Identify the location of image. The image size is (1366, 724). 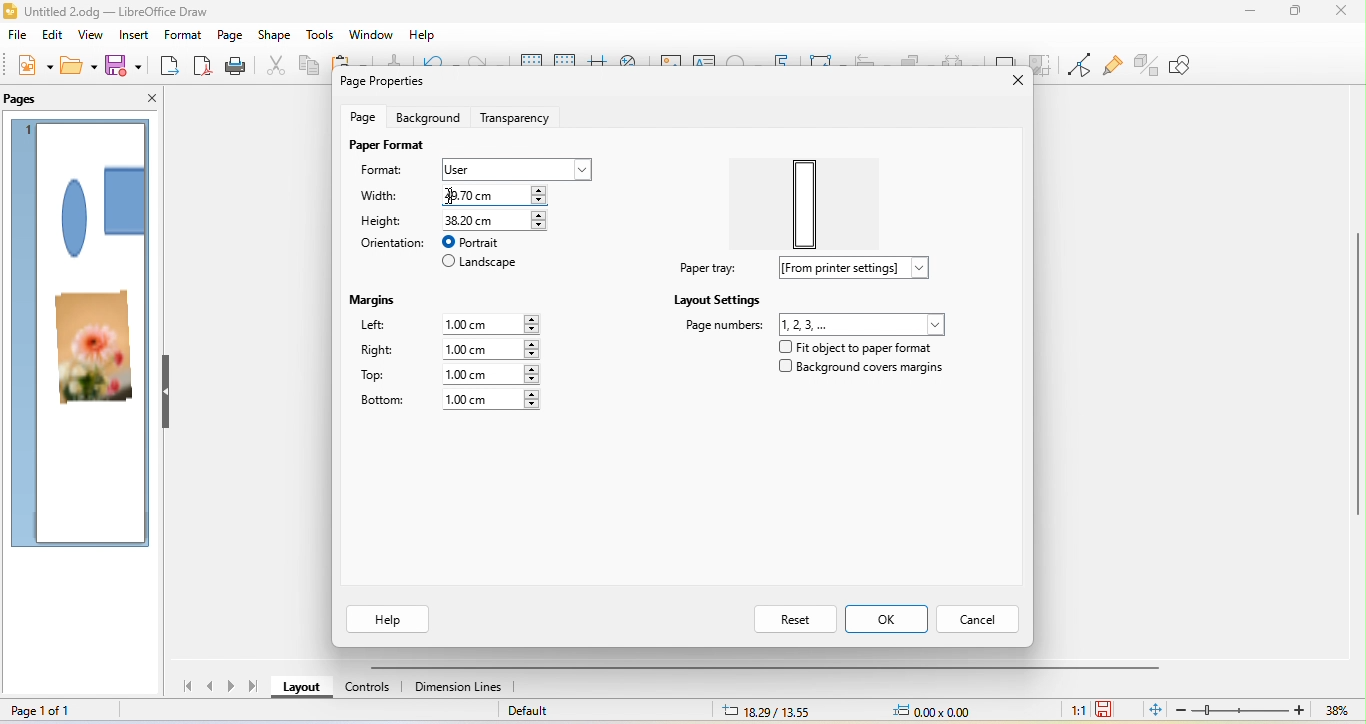
(672, 62).